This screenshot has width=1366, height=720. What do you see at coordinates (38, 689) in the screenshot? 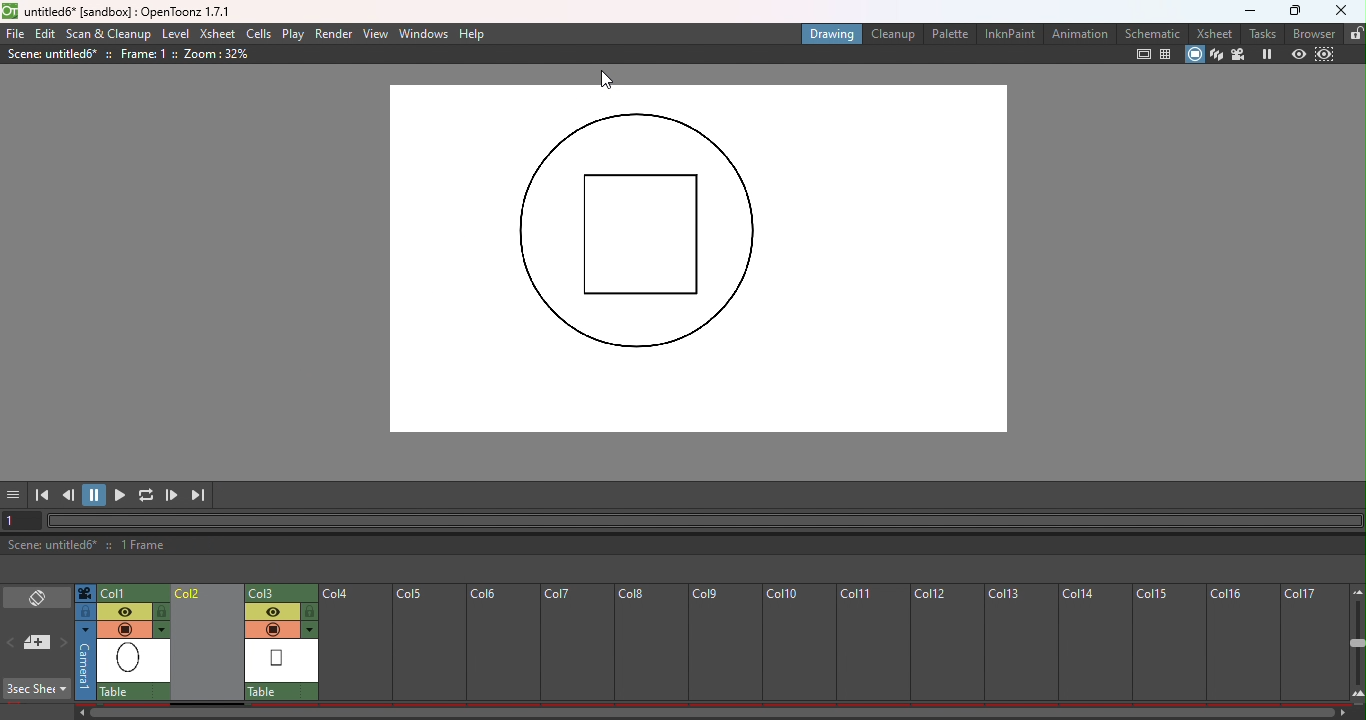
I see `3Sec sheet` at bounding box center [38, 689].